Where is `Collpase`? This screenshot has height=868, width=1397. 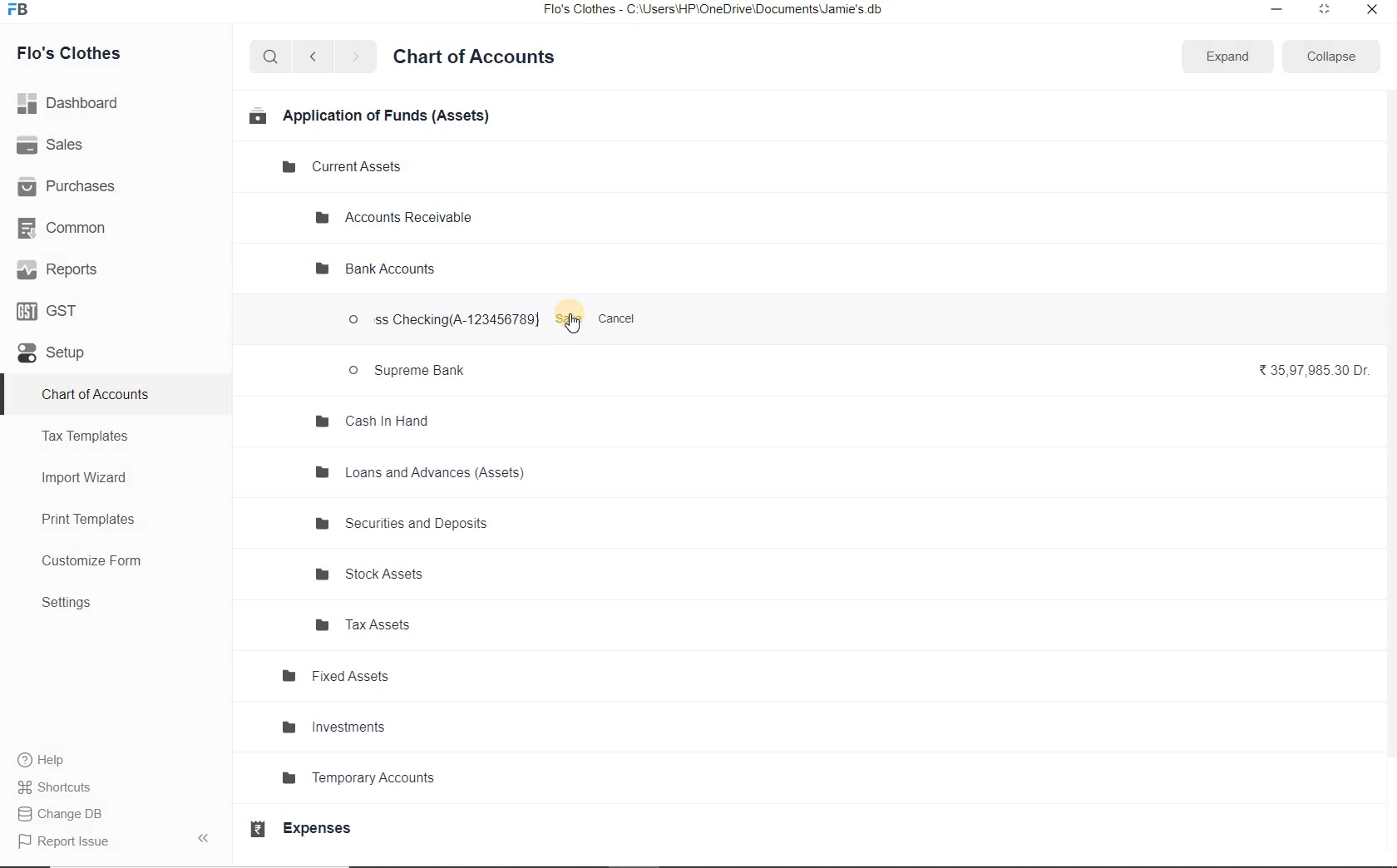 Collpase is located at coordinates (203, 837).